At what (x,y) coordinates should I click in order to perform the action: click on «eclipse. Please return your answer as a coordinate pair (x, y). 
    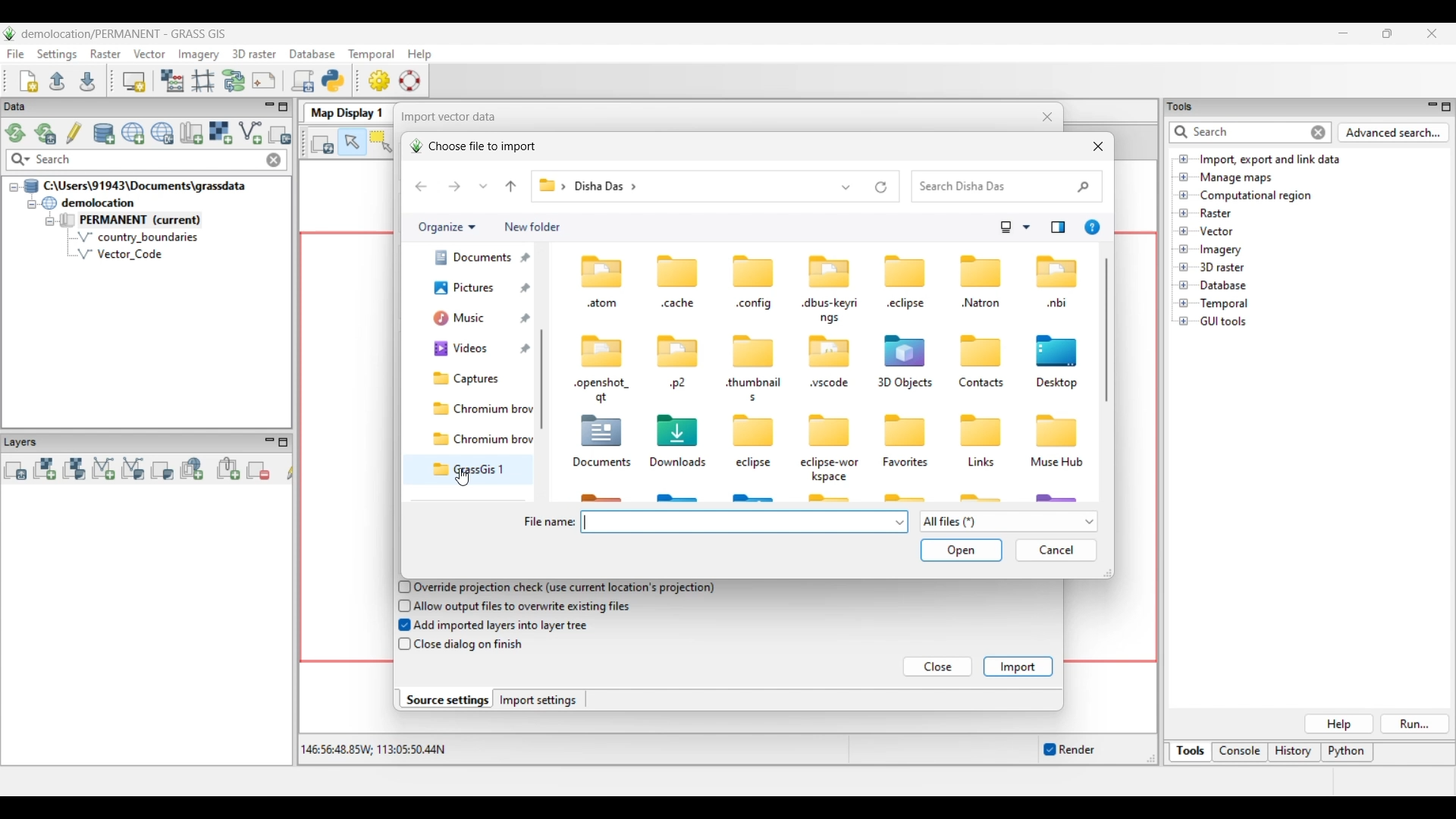
    Looking at the image, I should click on (908, 306).